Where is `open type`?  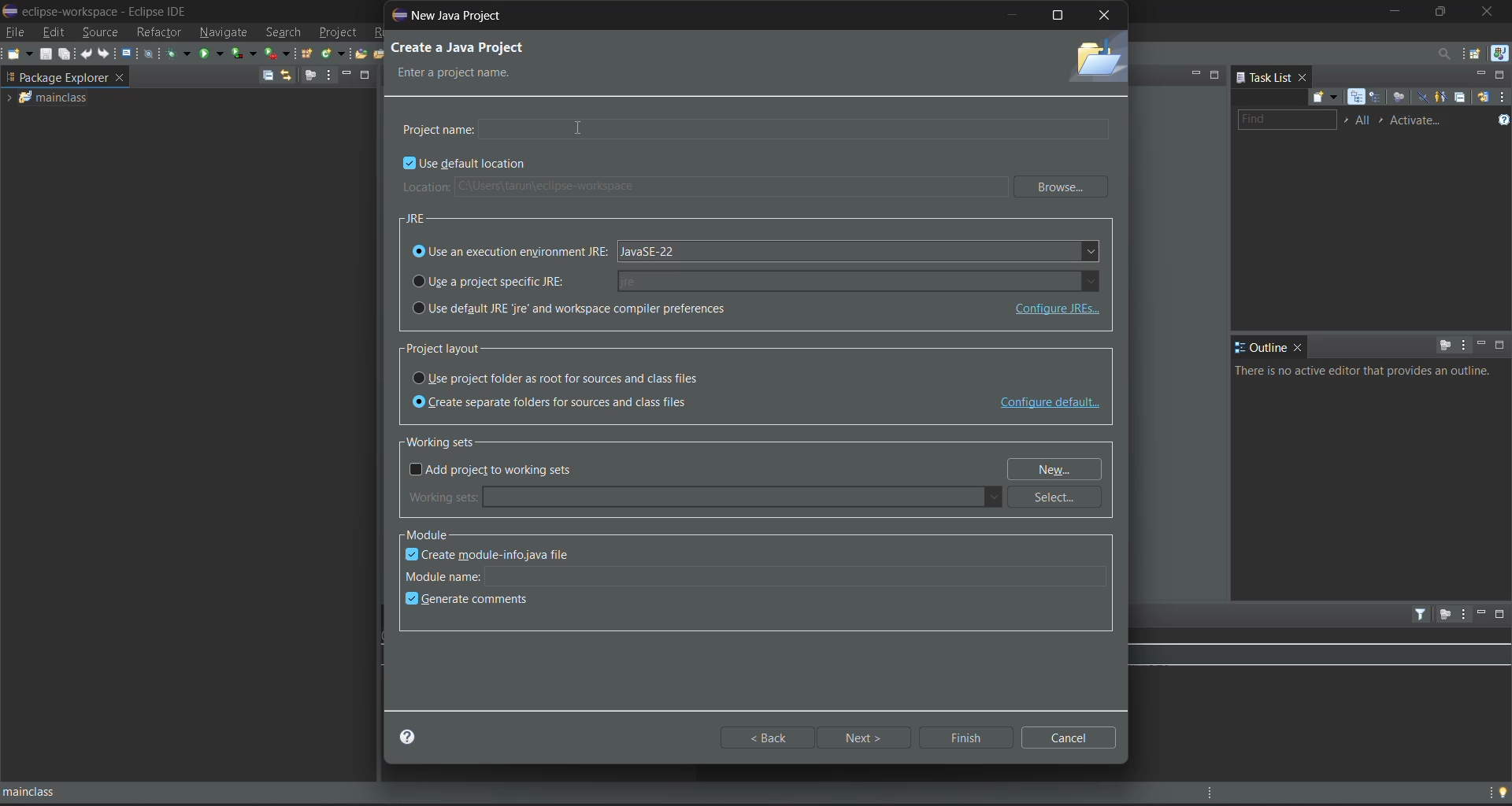 open type is located at coordinates (365, 51).